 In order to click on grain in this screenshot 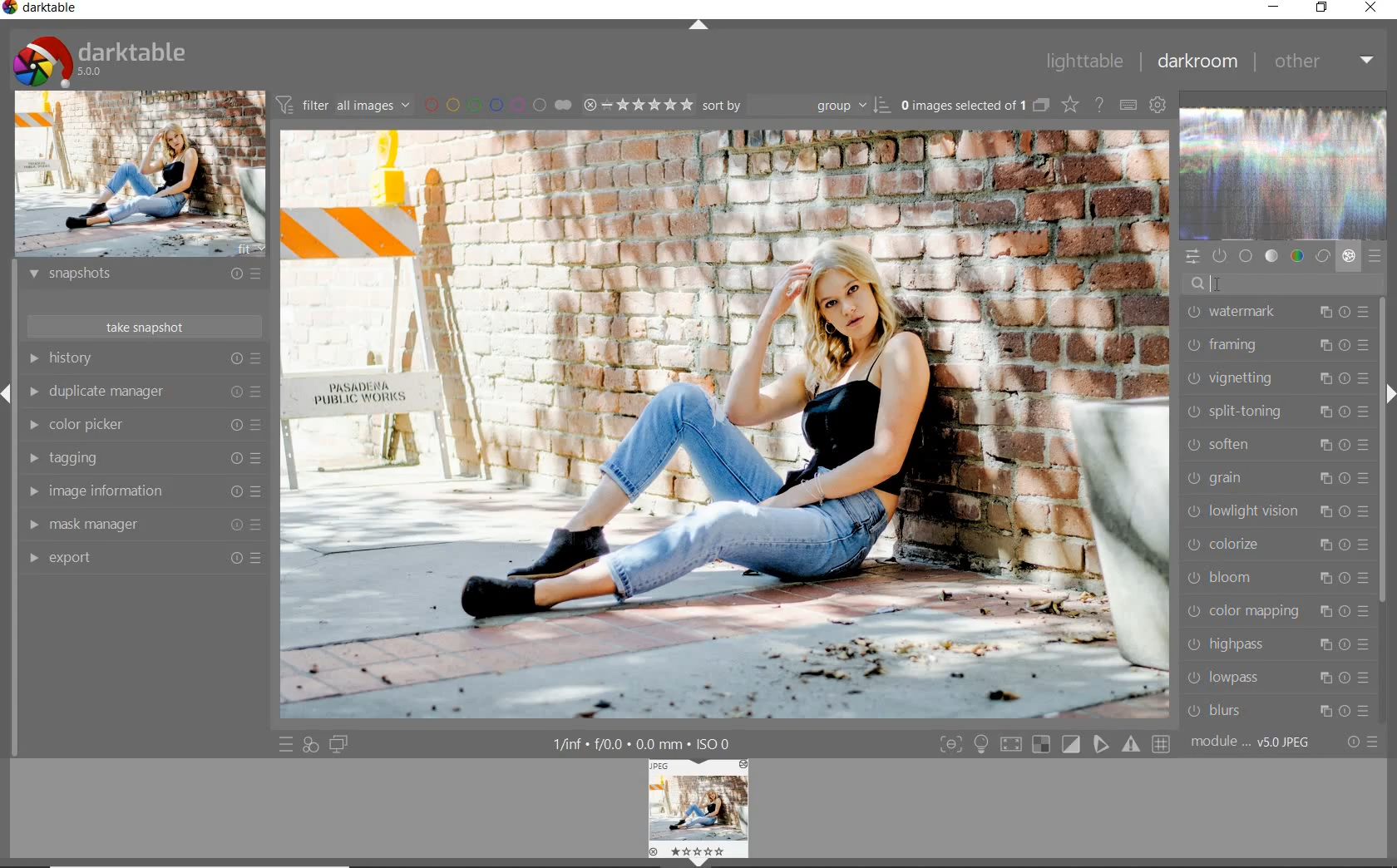, I will do `click(1274, 479)`.